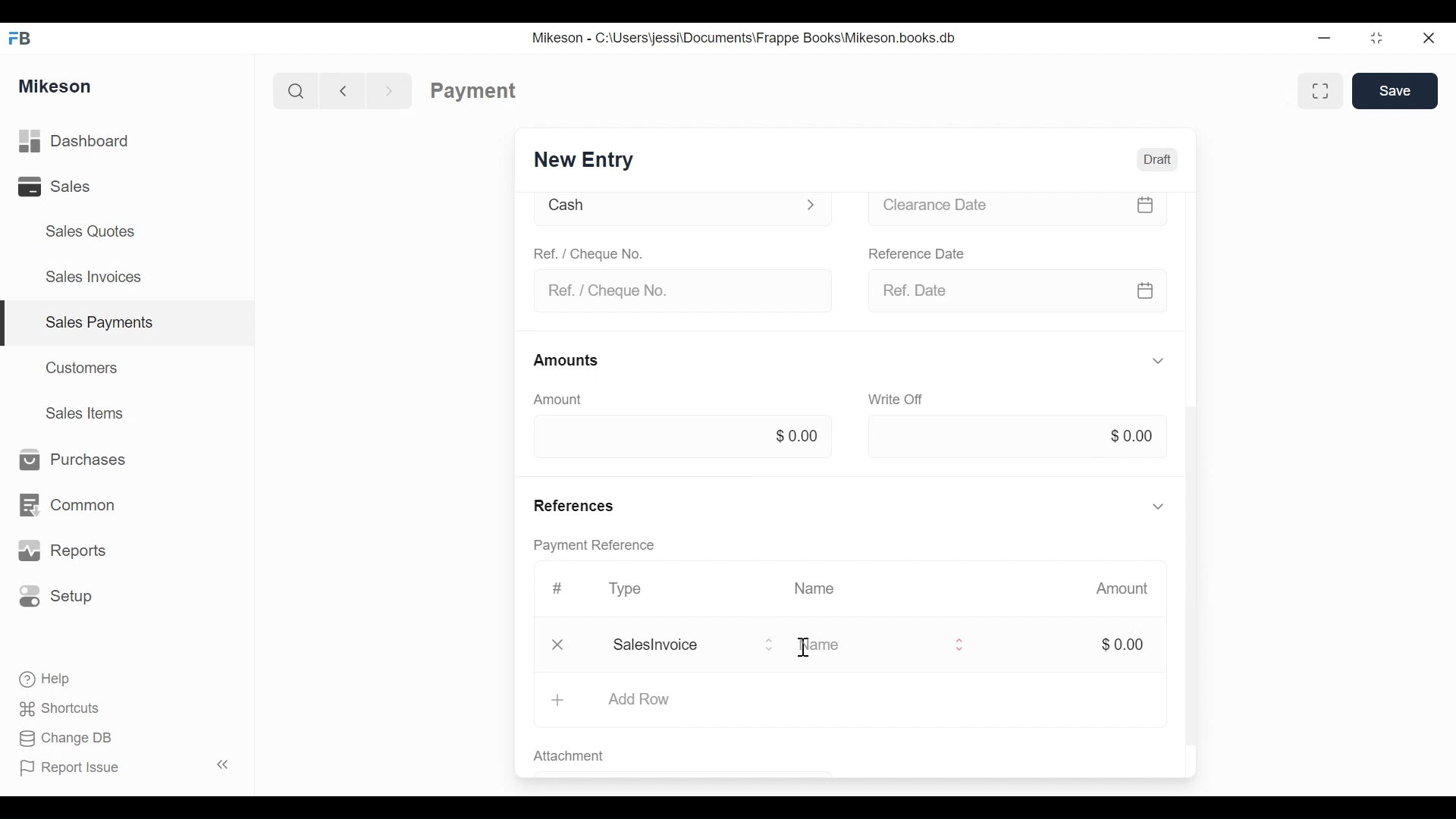 The image size is (1456, 819). Describe the element at coordinates (799, 438) in the screenshot. I see `$0.00` at that location.